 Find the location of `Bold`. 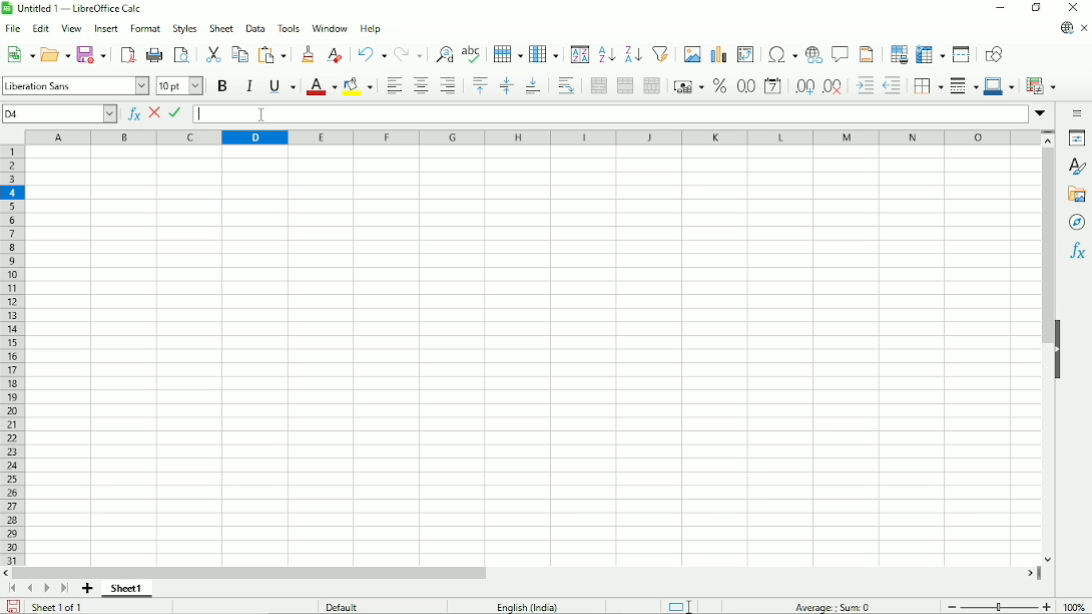

Bold is located at coordinates (221, 86).